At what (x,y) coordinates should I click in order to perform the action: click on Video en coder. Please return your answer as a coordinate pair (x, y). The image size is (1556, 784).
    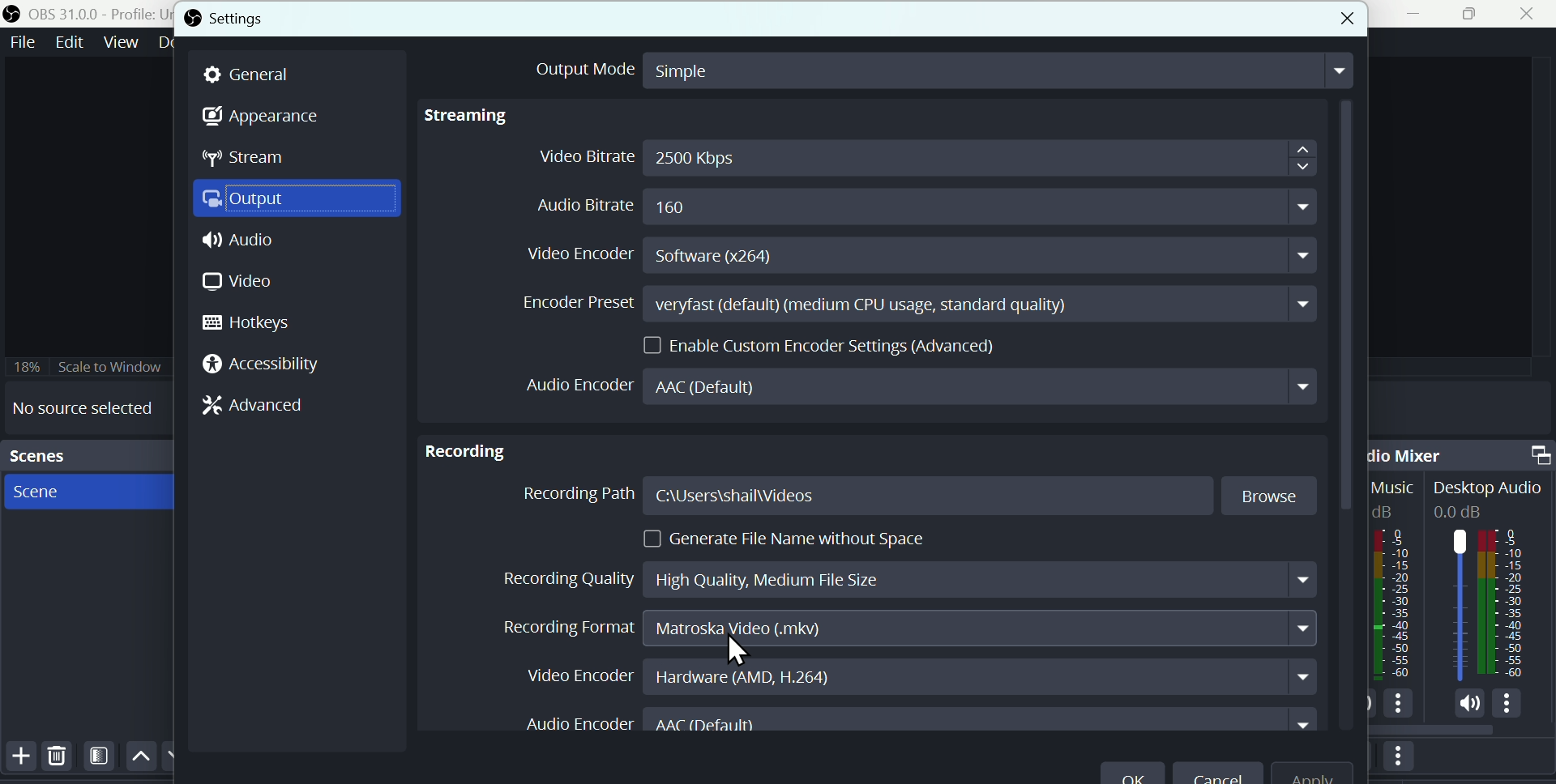
    Looking at the image, I should click on (917, 673).